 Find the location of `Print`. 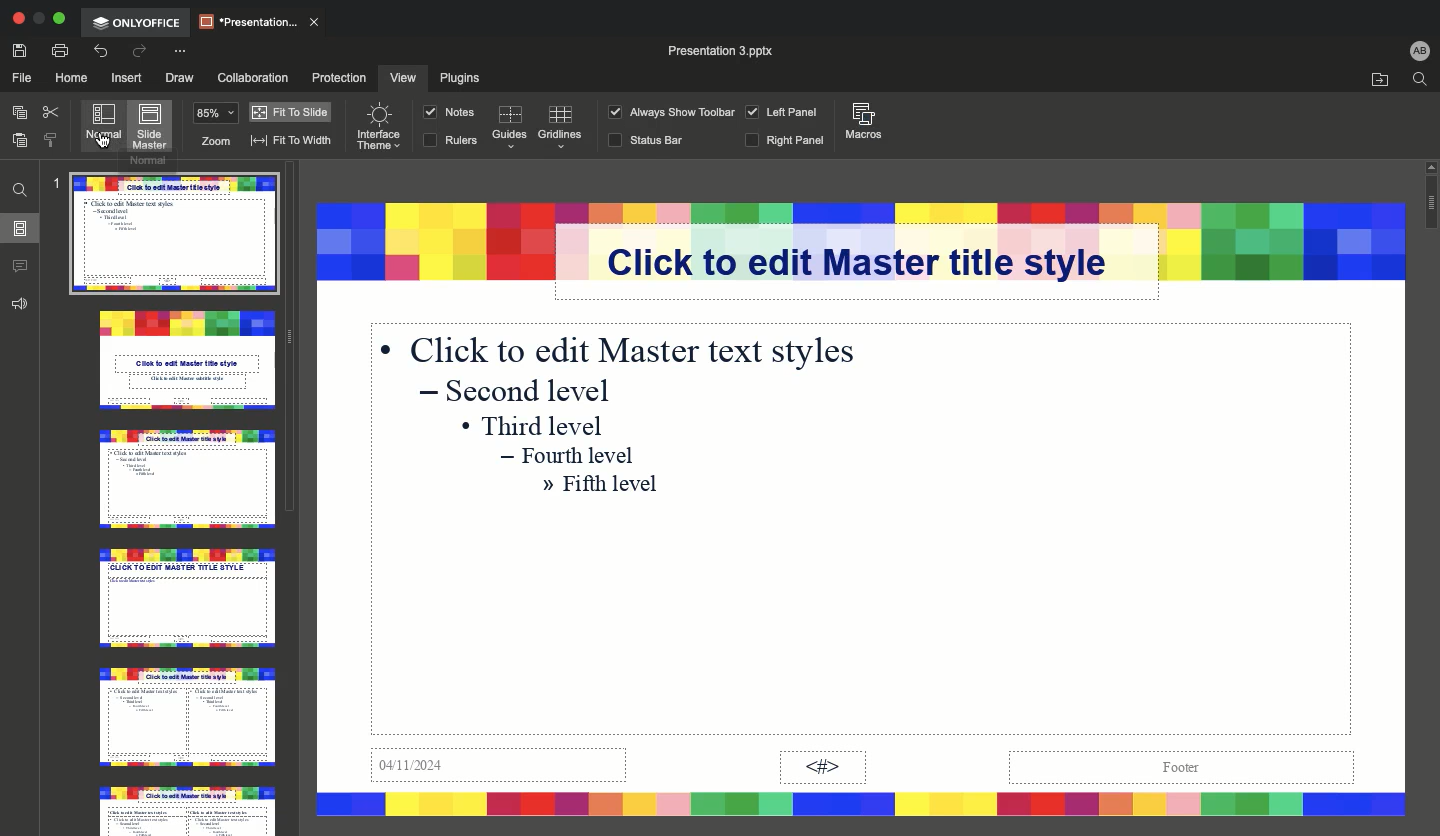

Print is located at coordinates (59, 52).